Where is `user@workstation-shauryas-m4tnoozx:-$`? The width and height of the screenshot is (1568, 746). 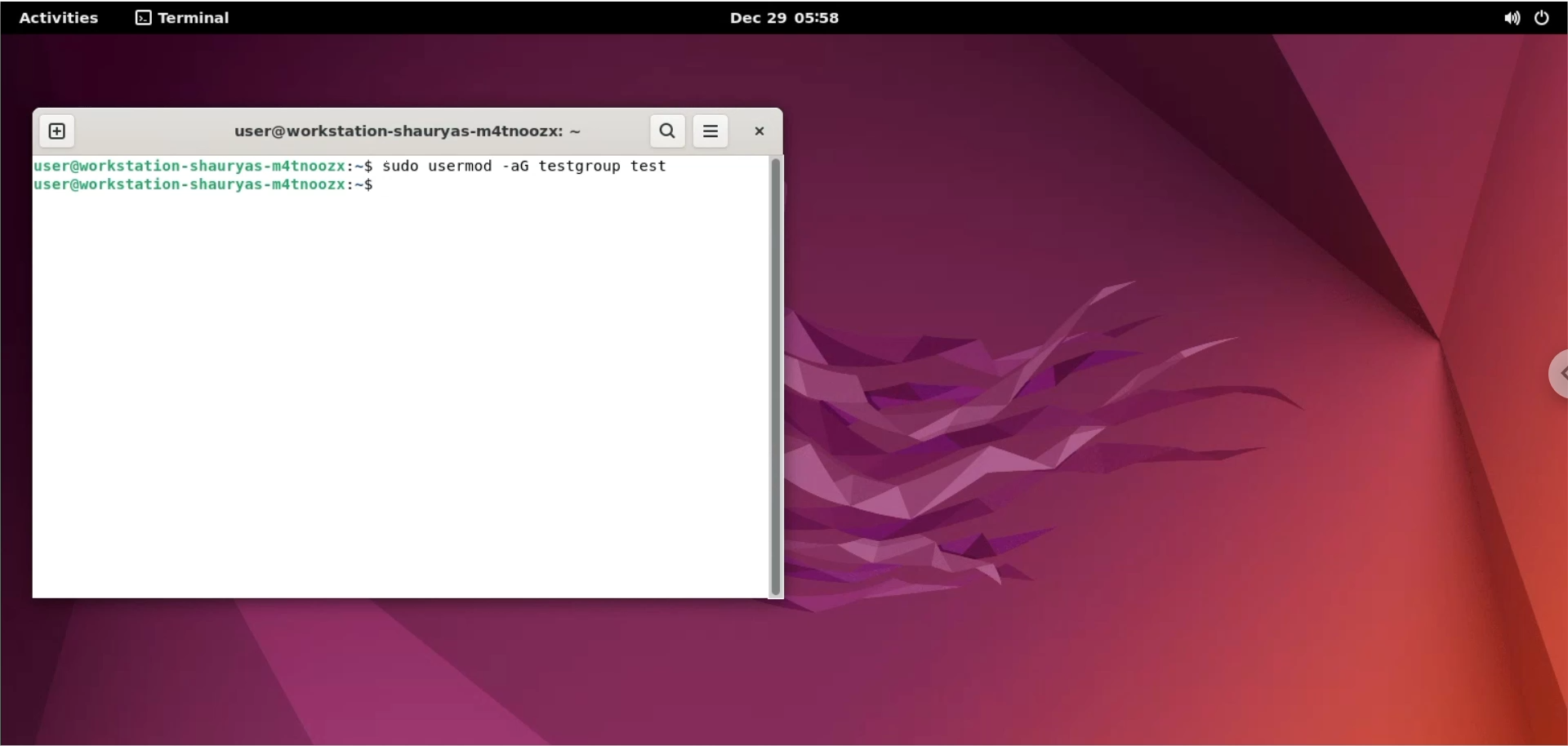 user@workstation-shauryas-m4tnoozx:-$ is located at coordinates (208, 187).